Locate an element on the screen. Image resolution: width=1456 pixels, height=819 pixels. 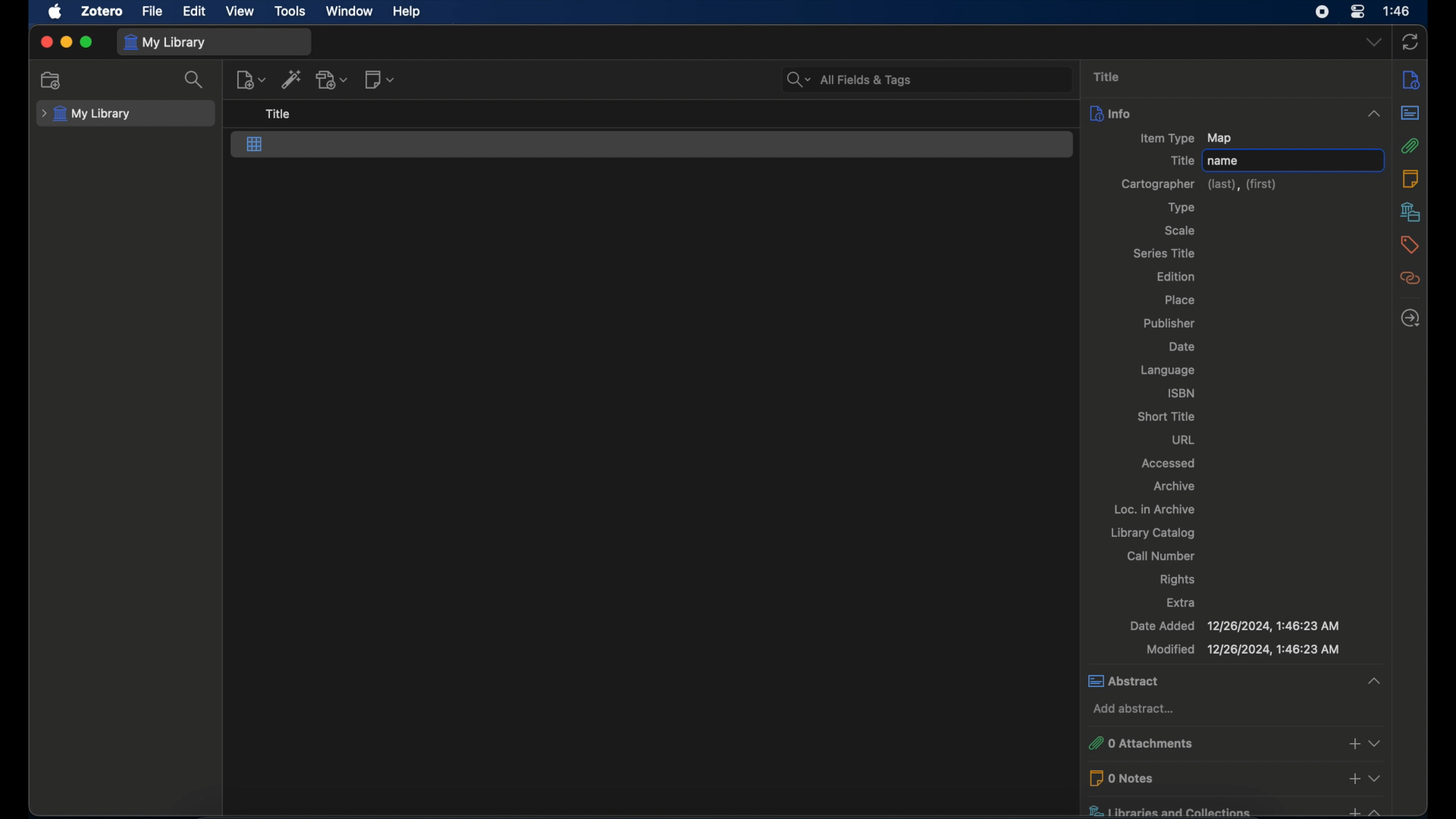
publisher is located at coordinates (1172, 322).